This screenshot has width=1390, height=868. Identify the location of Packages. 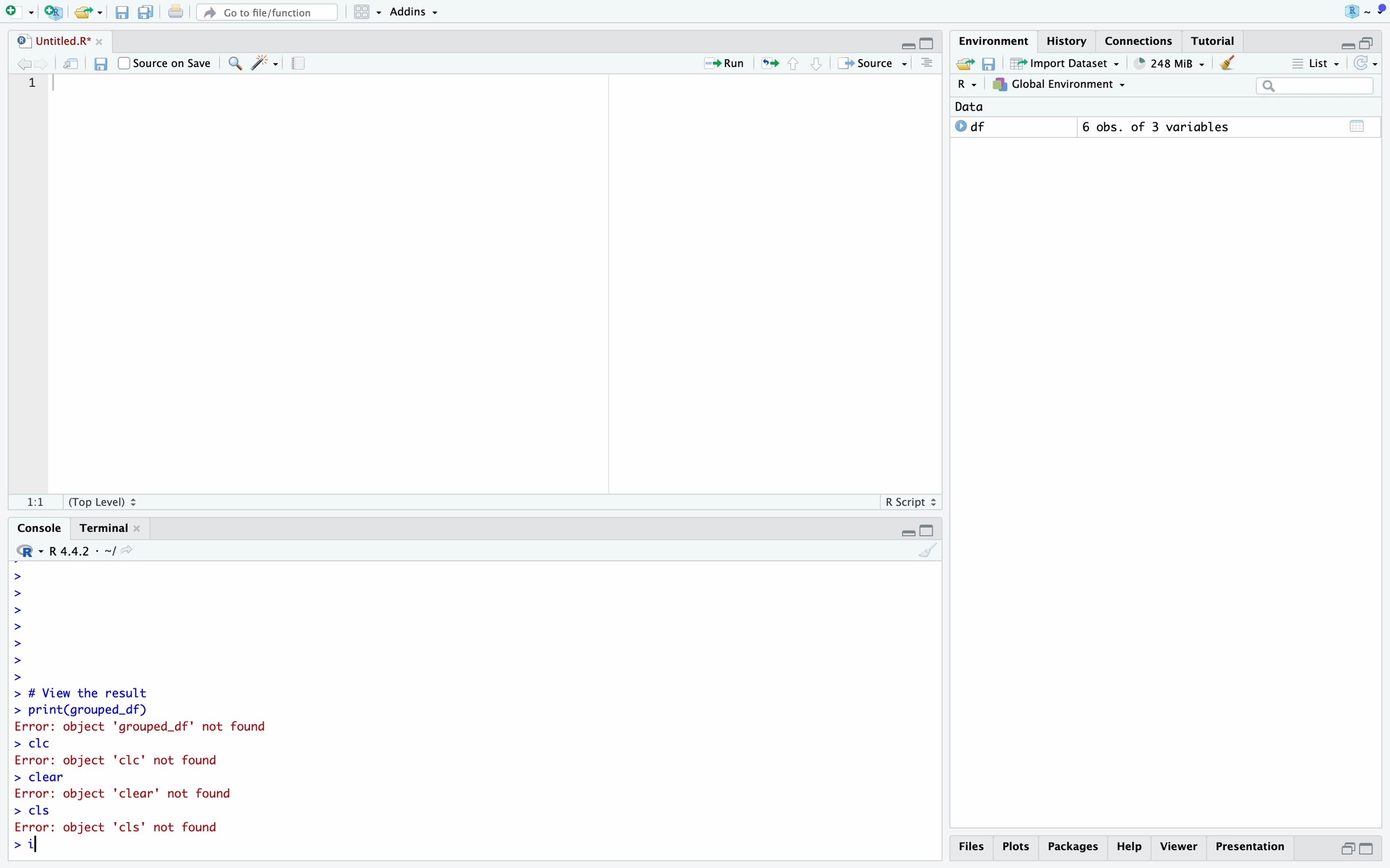
(1074, 847).